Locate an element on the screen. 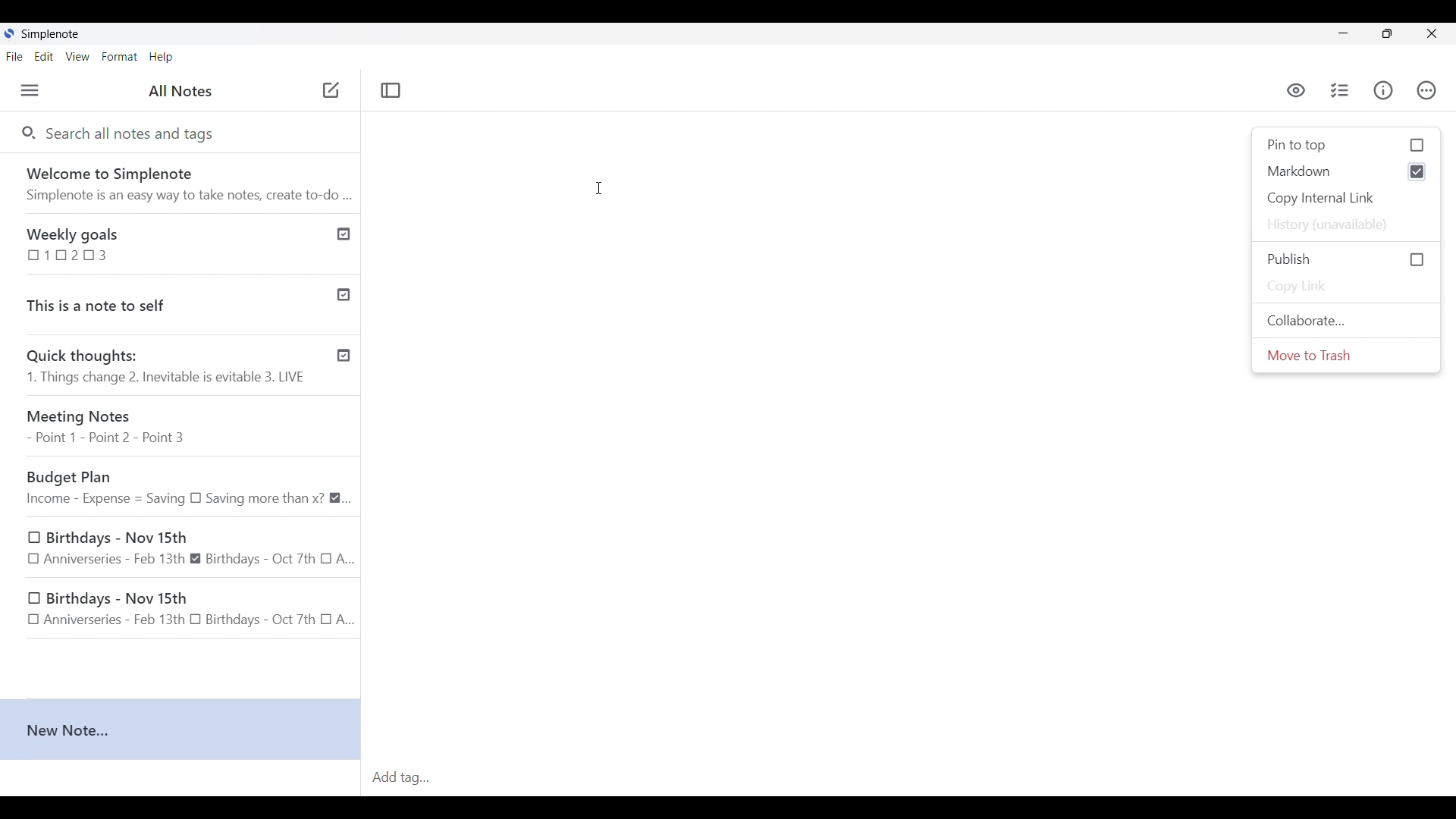 This screenshot has width=1456, height=819. Click to Publish is located at coordinates (1346, 259).